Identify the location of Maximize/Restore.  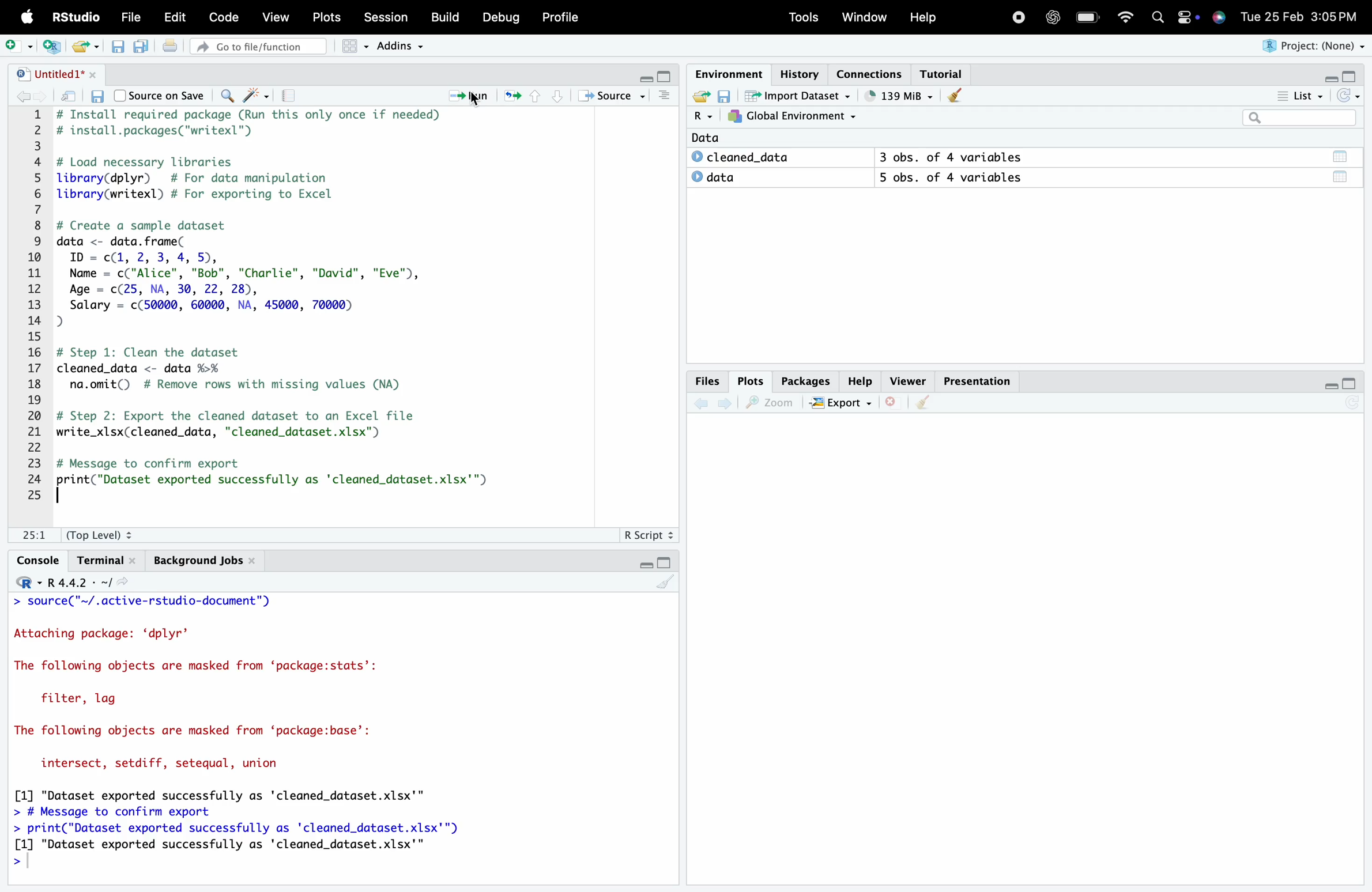
(1352, 385).